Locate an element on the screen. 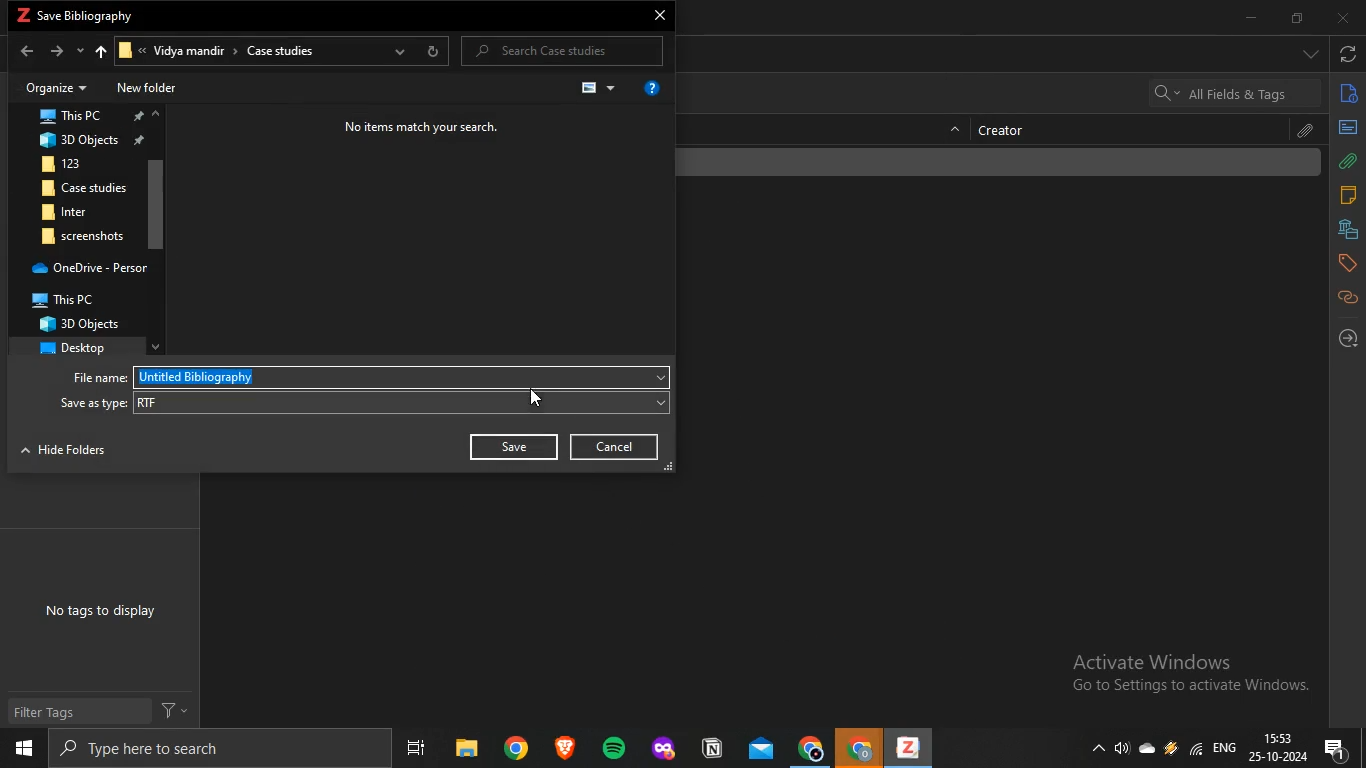  3D Objects is located at coordinates (113, 142).